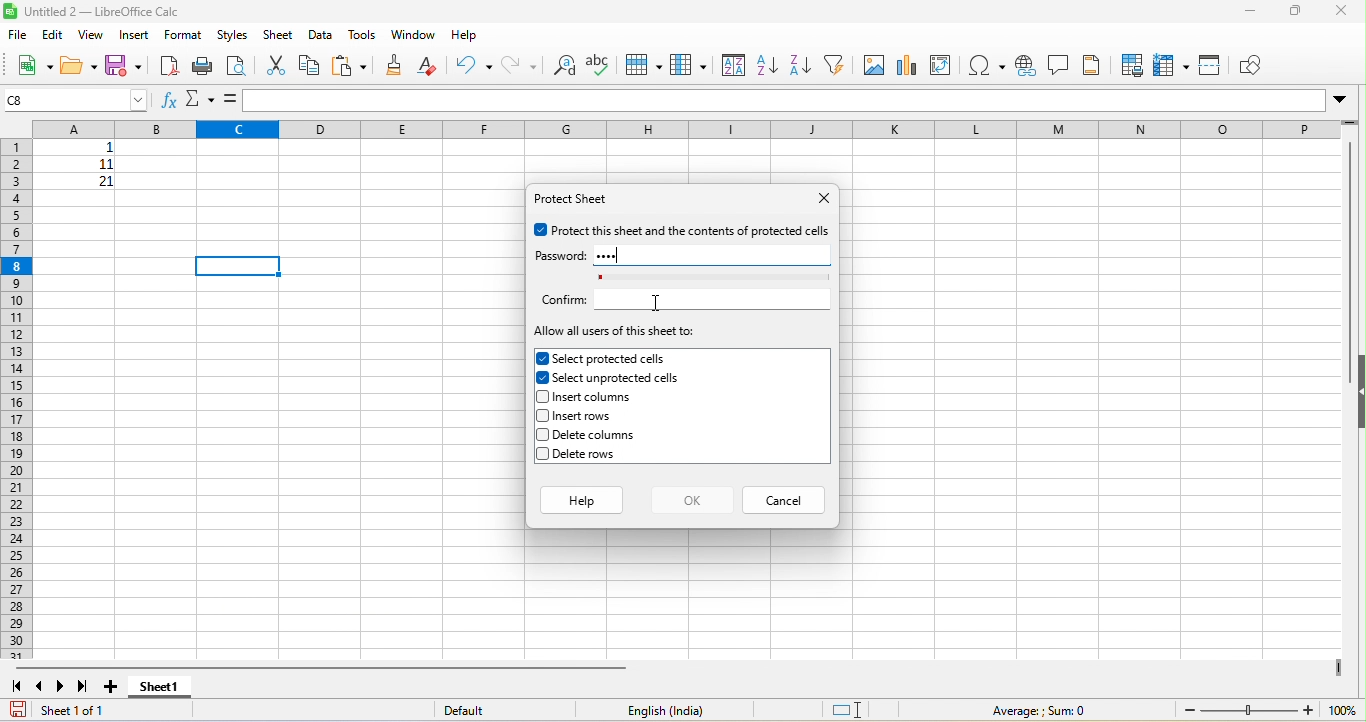  Describe the element at coordinates (833, 64) in the screenshot. I see `filter` at that location.